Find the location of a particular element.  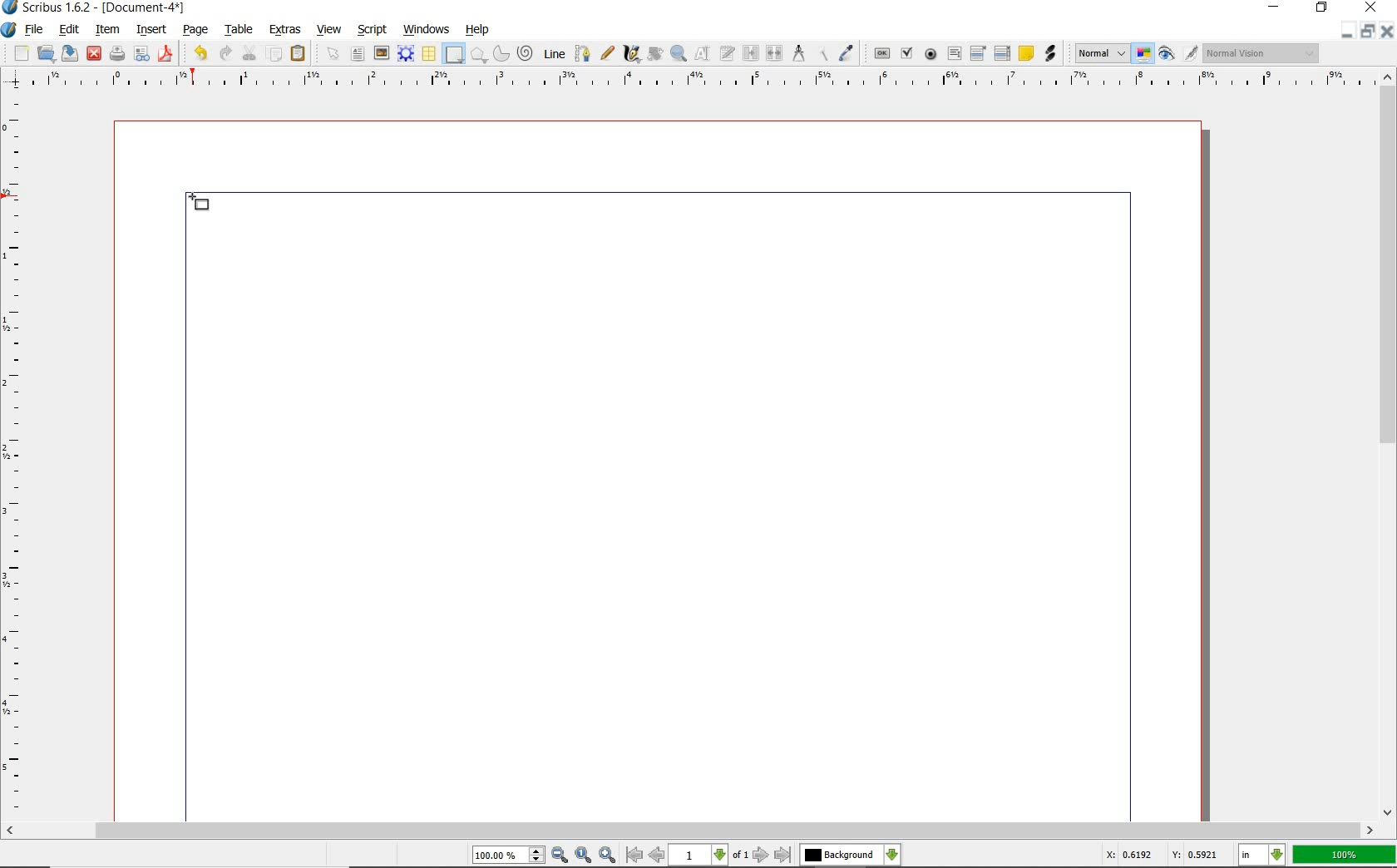

Background is located at coordinates (851, 856).